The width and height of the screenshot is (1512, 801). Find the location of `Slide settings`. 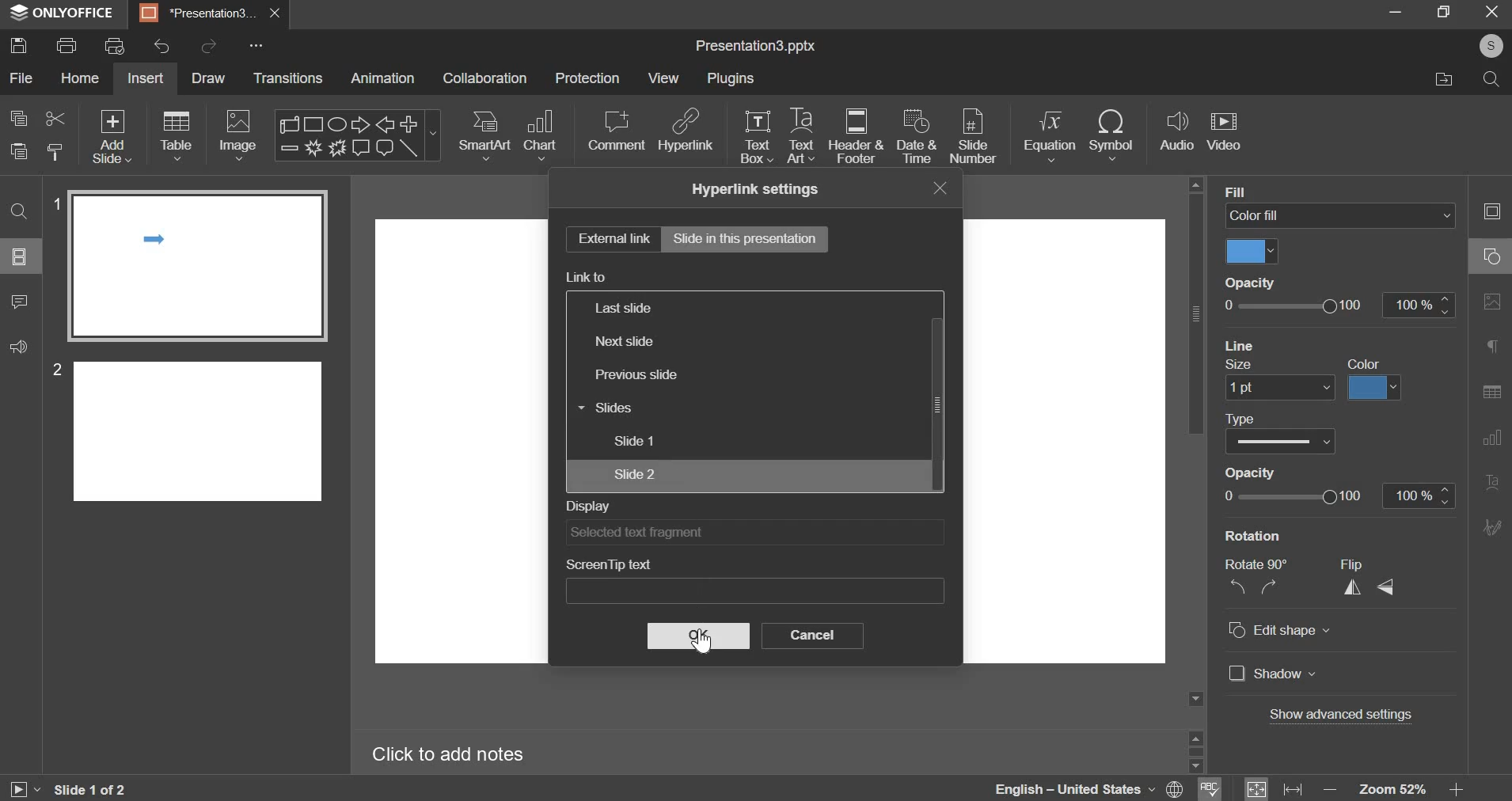

Slide settings is located at coordinates (1491, 211).